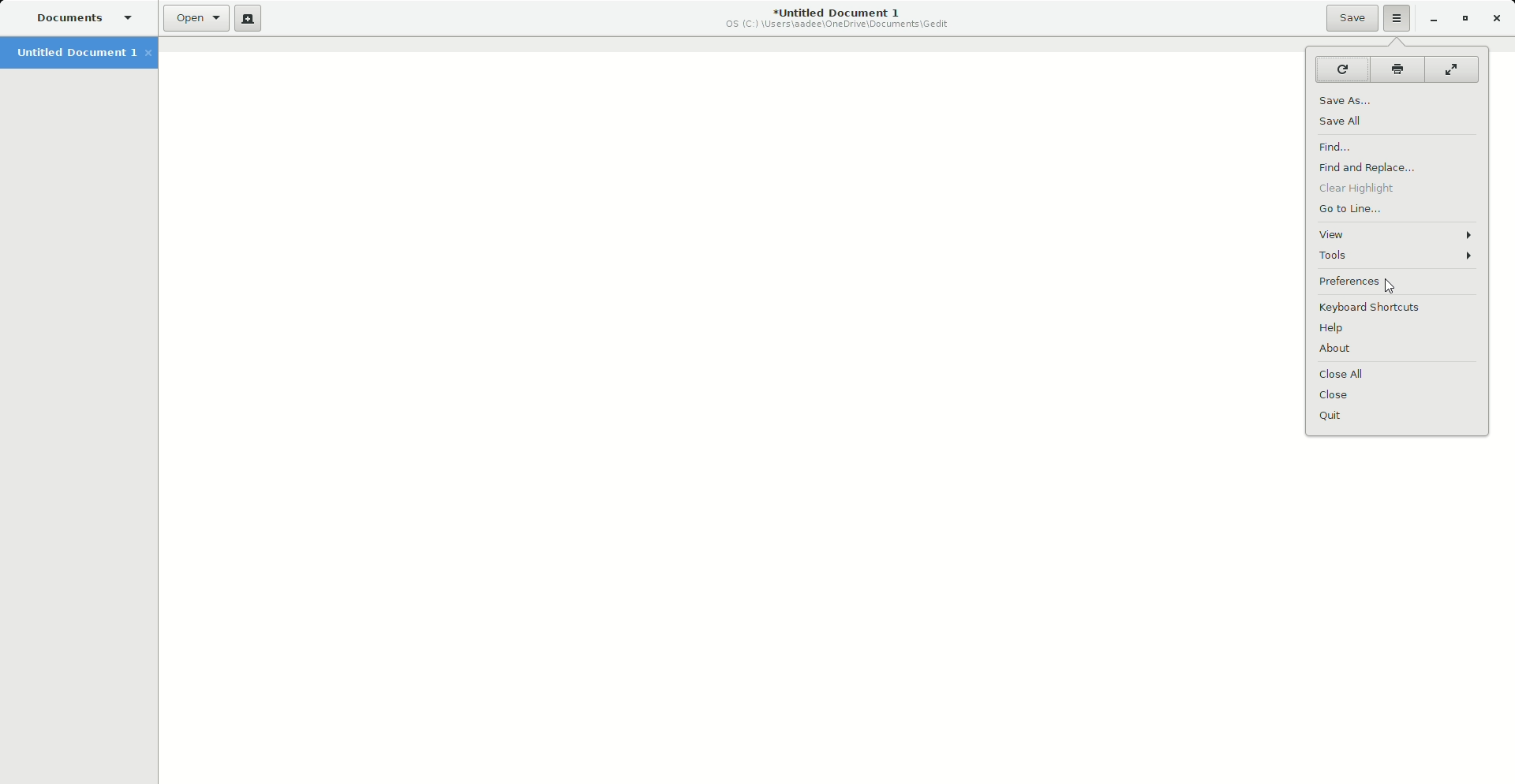  What do you see at coordinates (79, 54) in the screenshot?
I see `Untitled Document 1` at bounding box center [79, 54].